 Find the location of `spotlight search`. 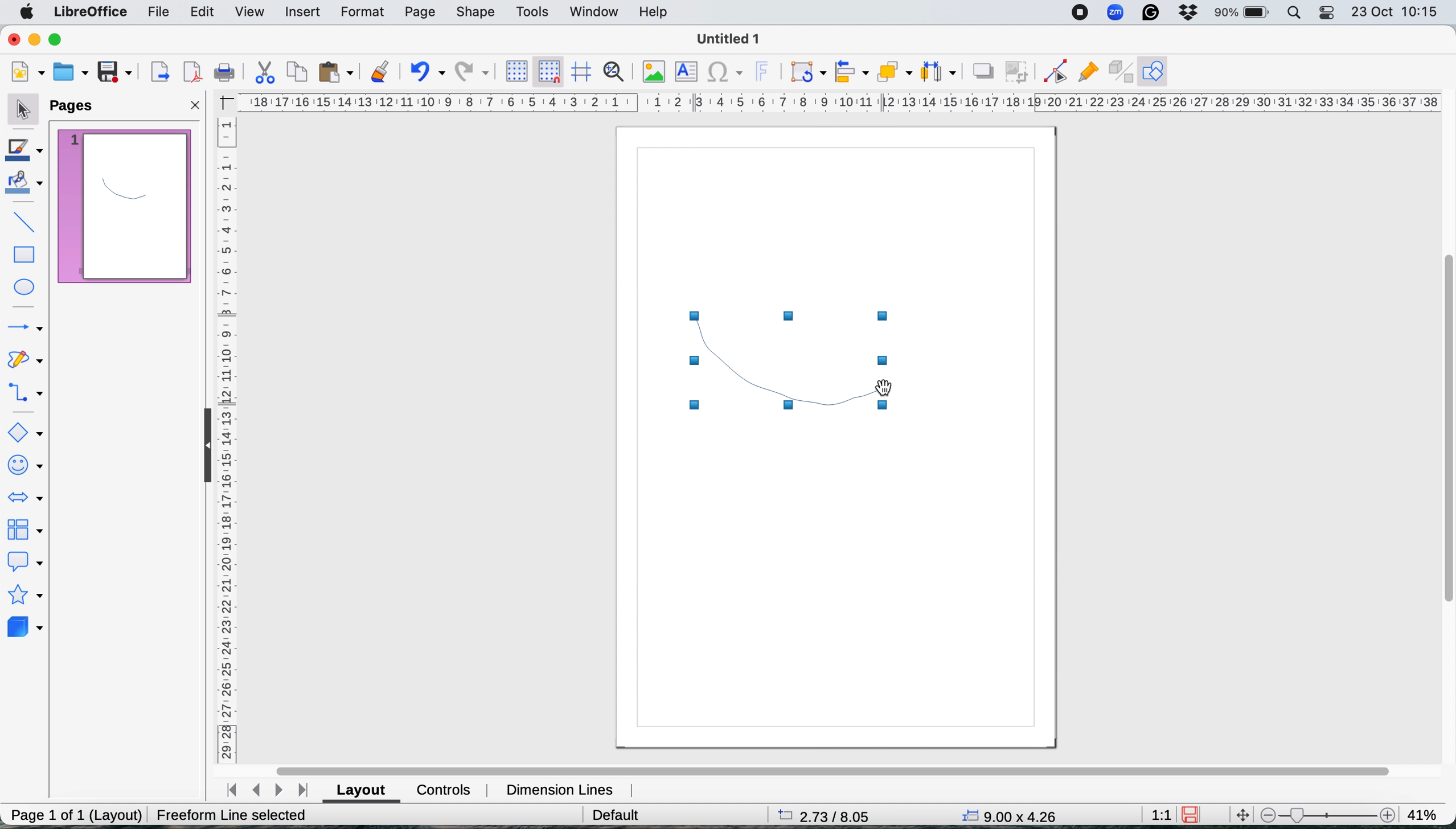

spotlight search is located at coordinates (1297, 12).